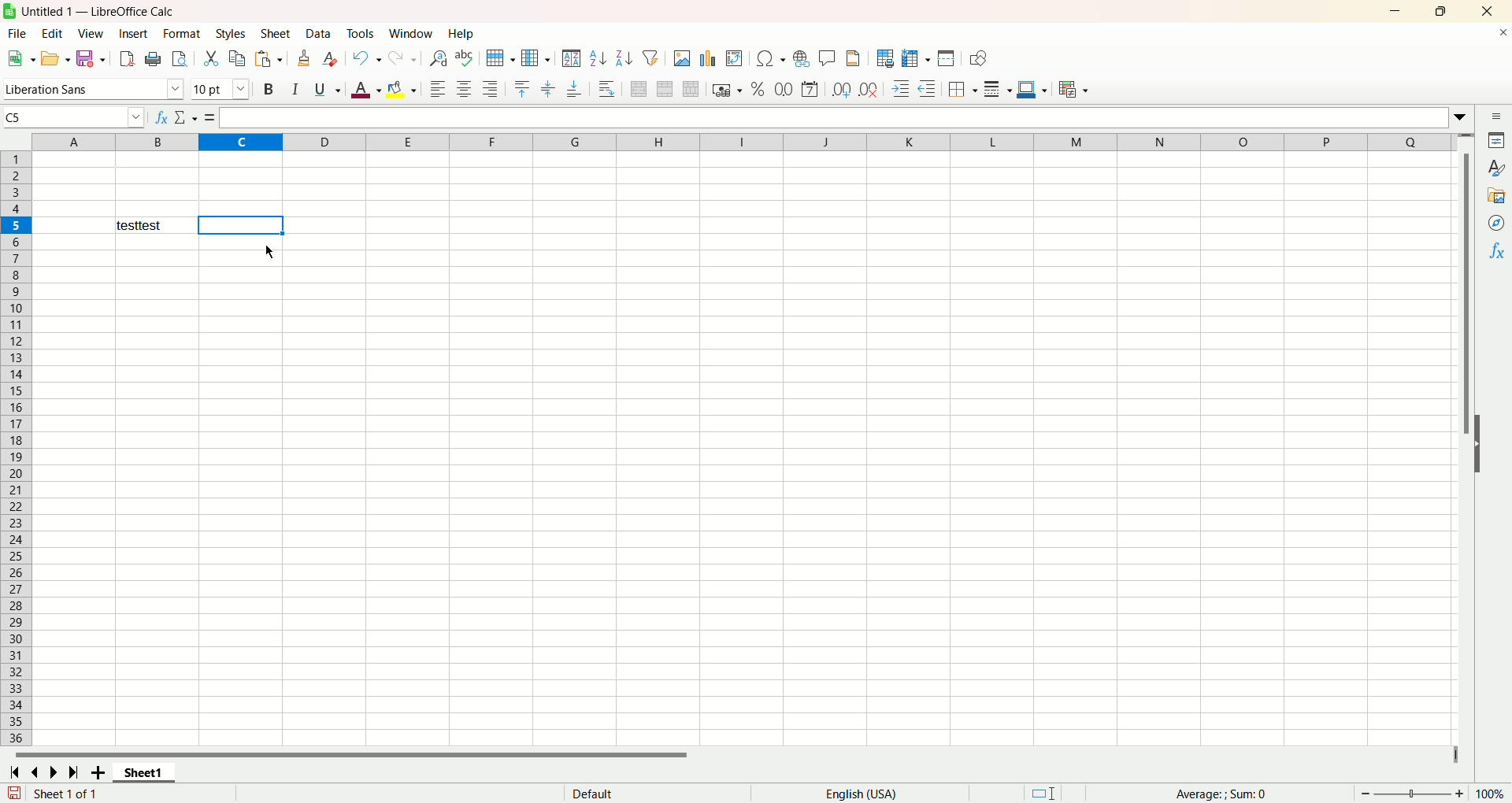 Image resolution: width=1512 pixels, height=803 pixels. Describe the element at coordinates (402, 58) in the screenshot. I see `redo` at that location.